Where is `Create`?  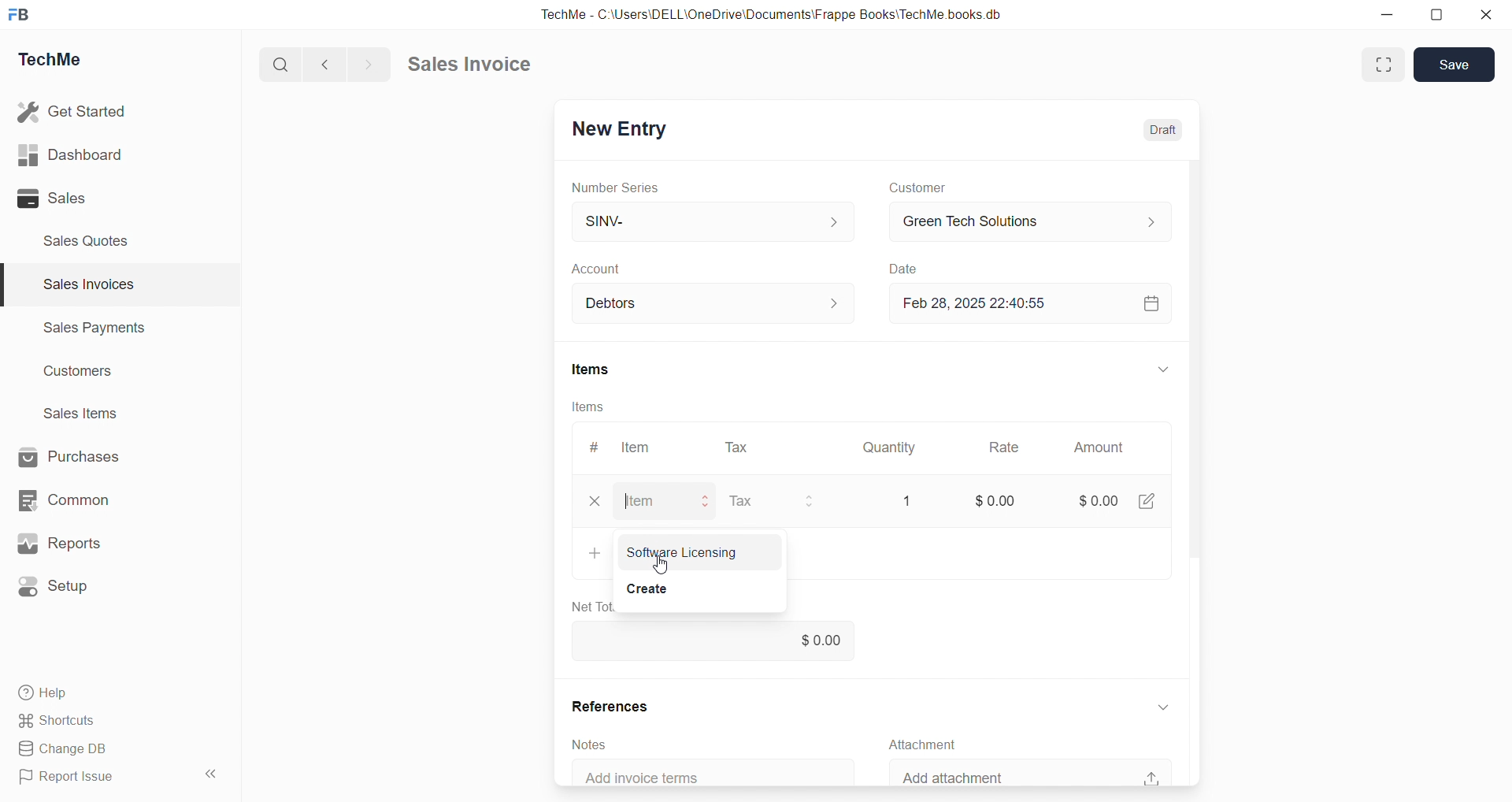 Create is located at coordinates (644, 587).